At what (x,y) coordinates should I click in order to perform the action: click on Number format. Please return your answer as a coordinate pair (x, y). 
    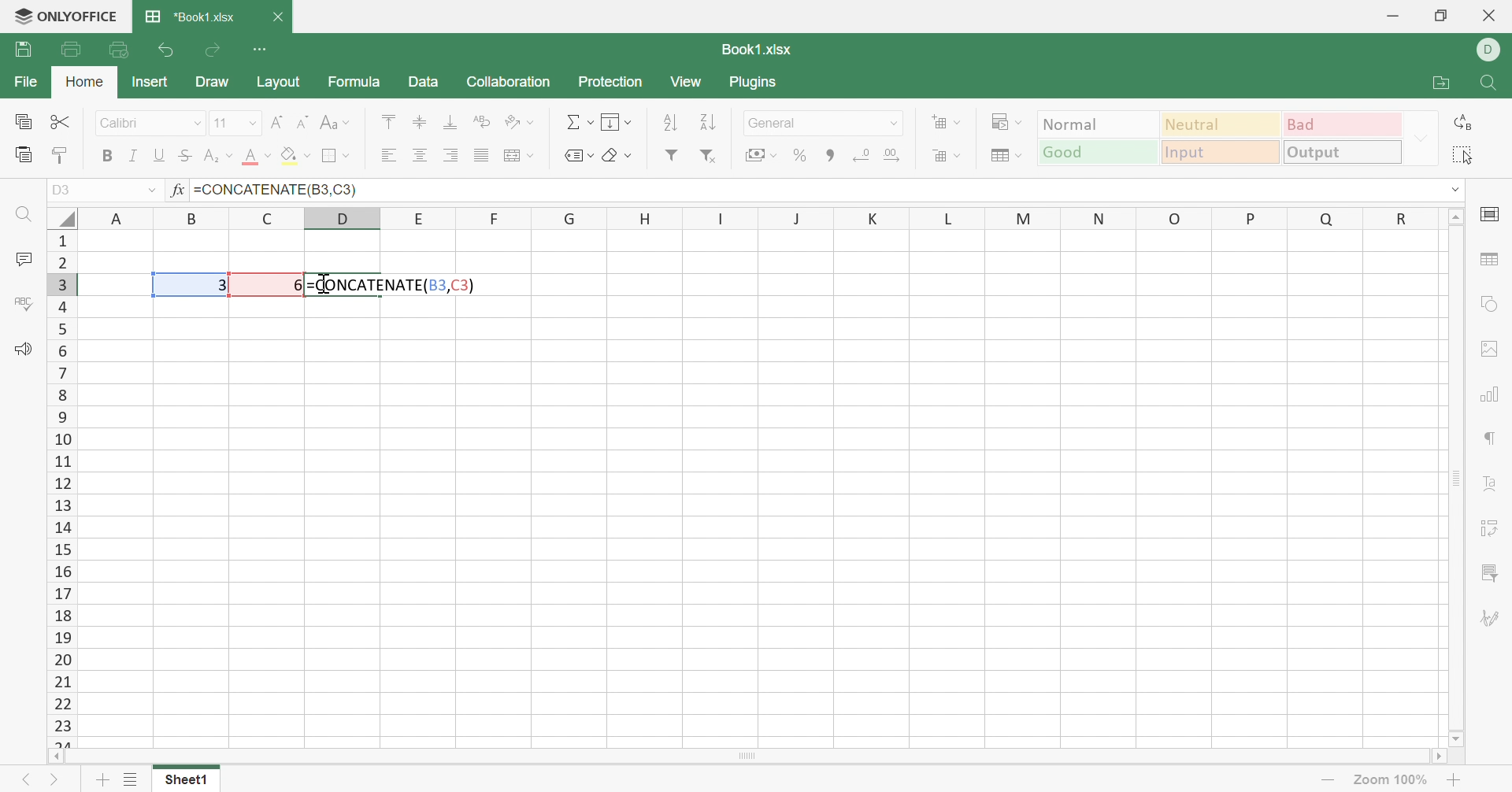
    Looking at the image, I should click on (823, 123).